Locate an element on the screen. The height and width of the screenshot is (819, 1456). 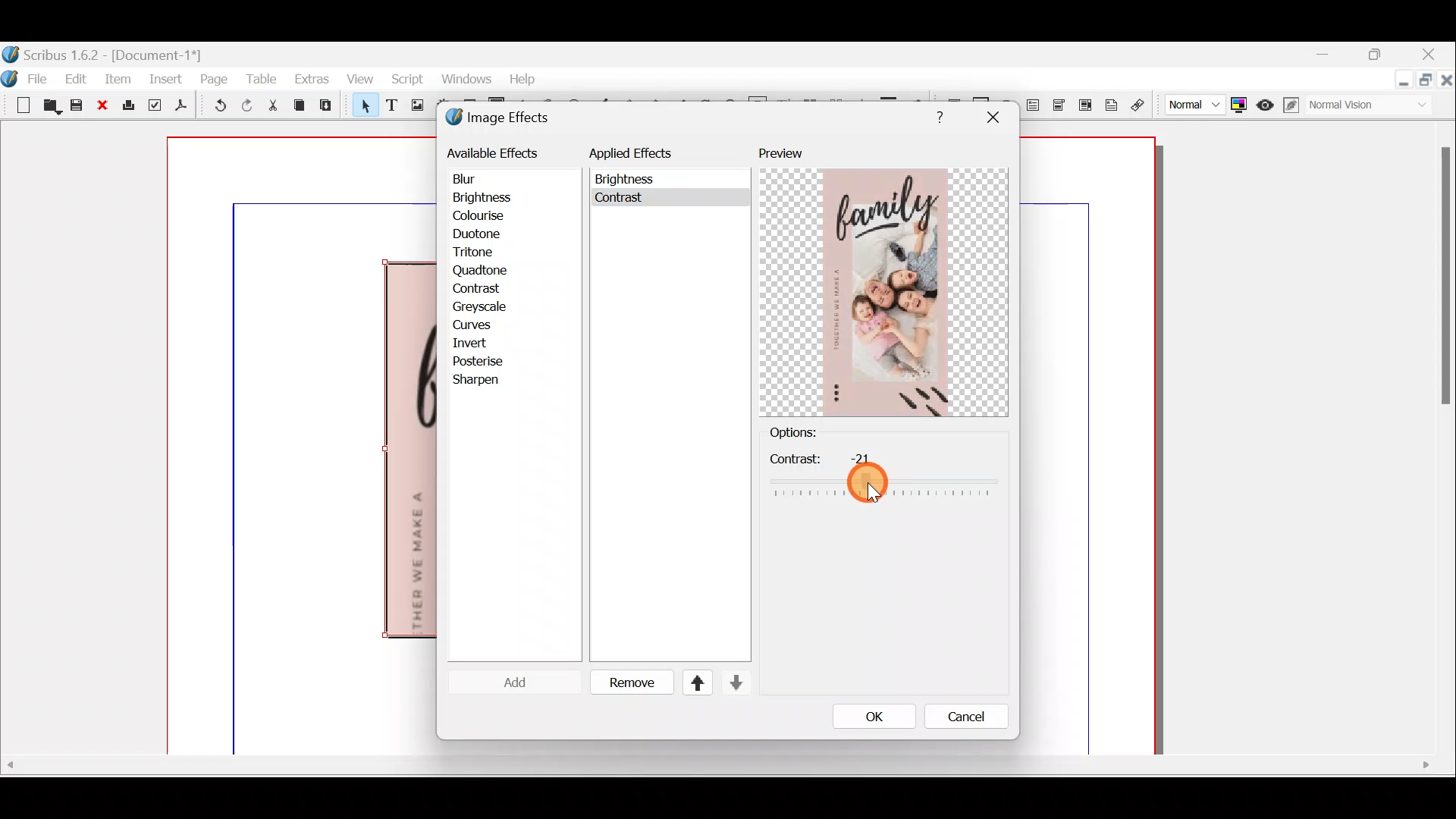
 is located at coordinates (715, 765).